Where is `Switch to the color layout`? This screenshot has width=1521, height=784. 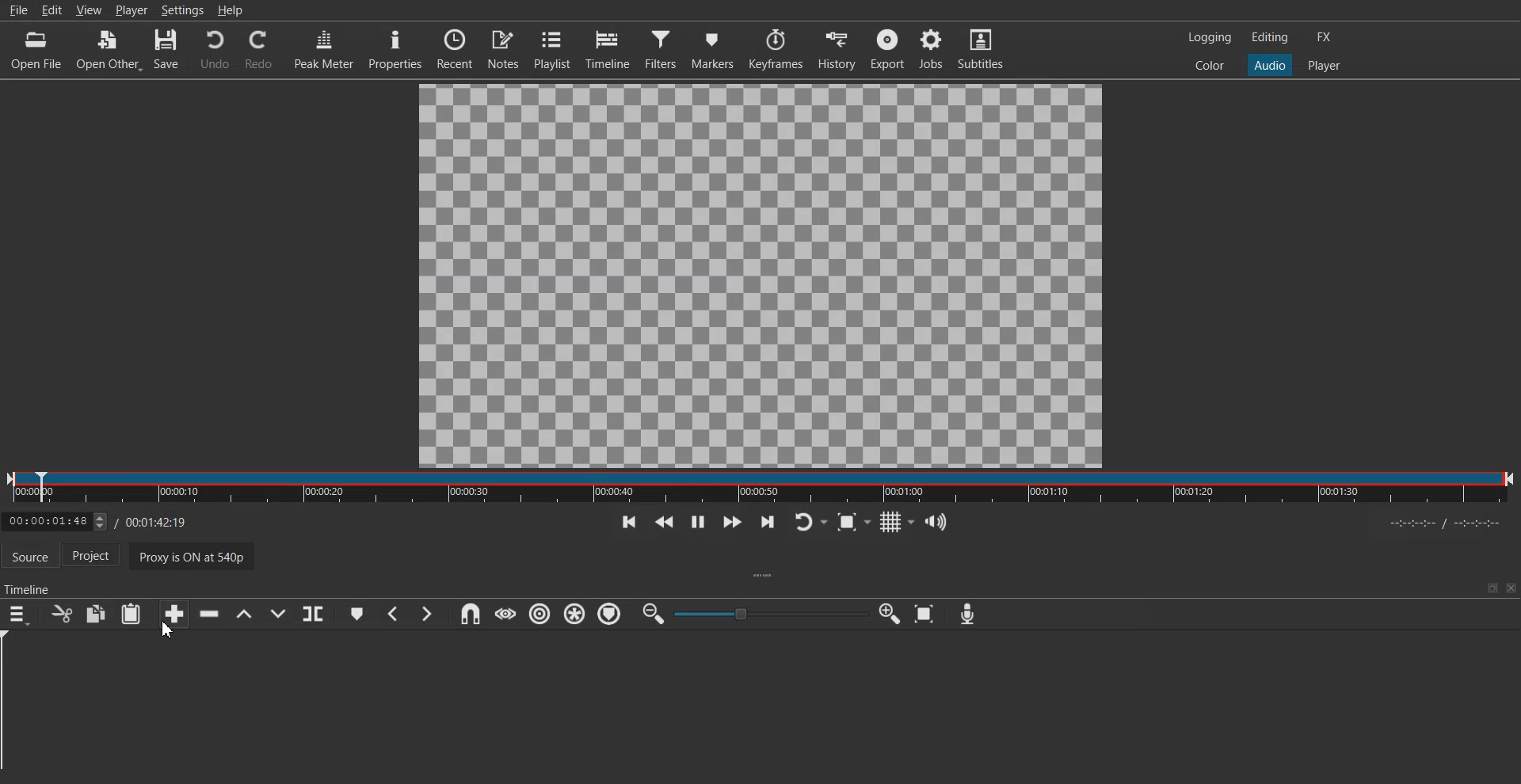 Switch to the color layout is located at coordinates (1211, 66).